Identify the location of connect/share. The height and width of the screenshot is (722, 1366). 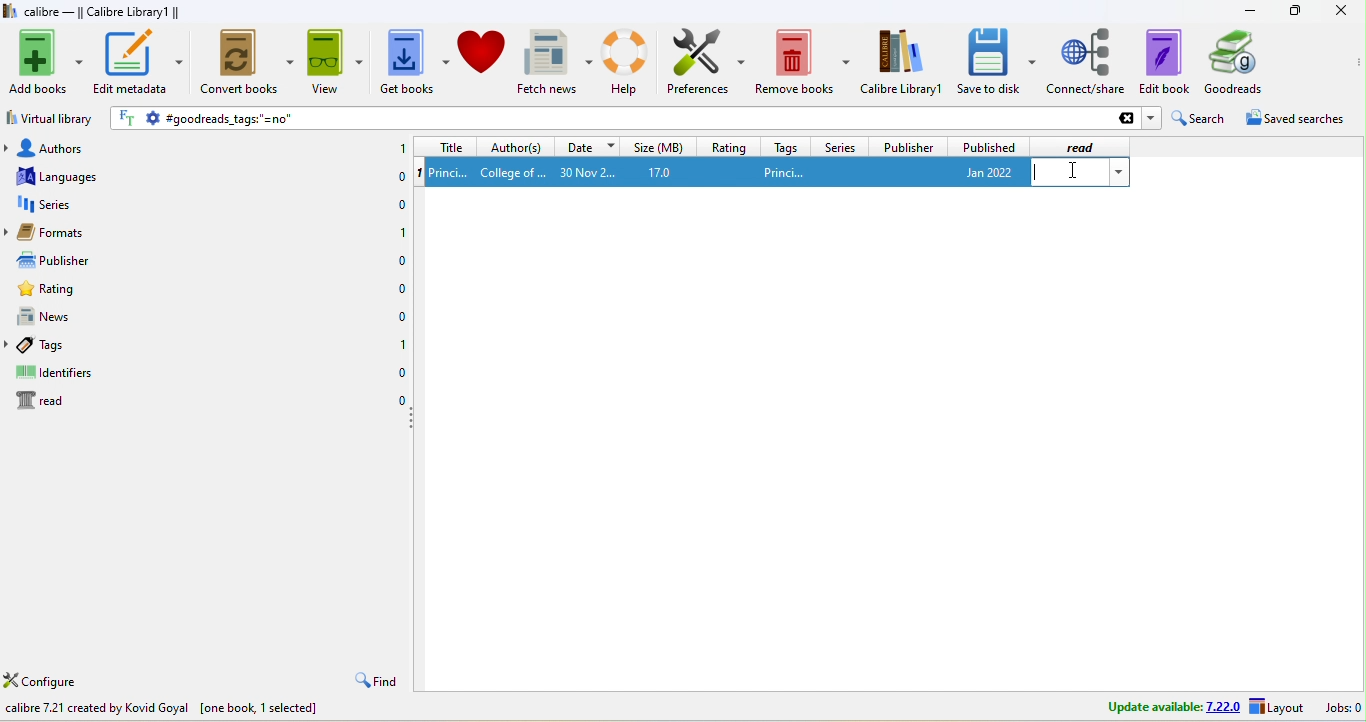
(1087, 62).